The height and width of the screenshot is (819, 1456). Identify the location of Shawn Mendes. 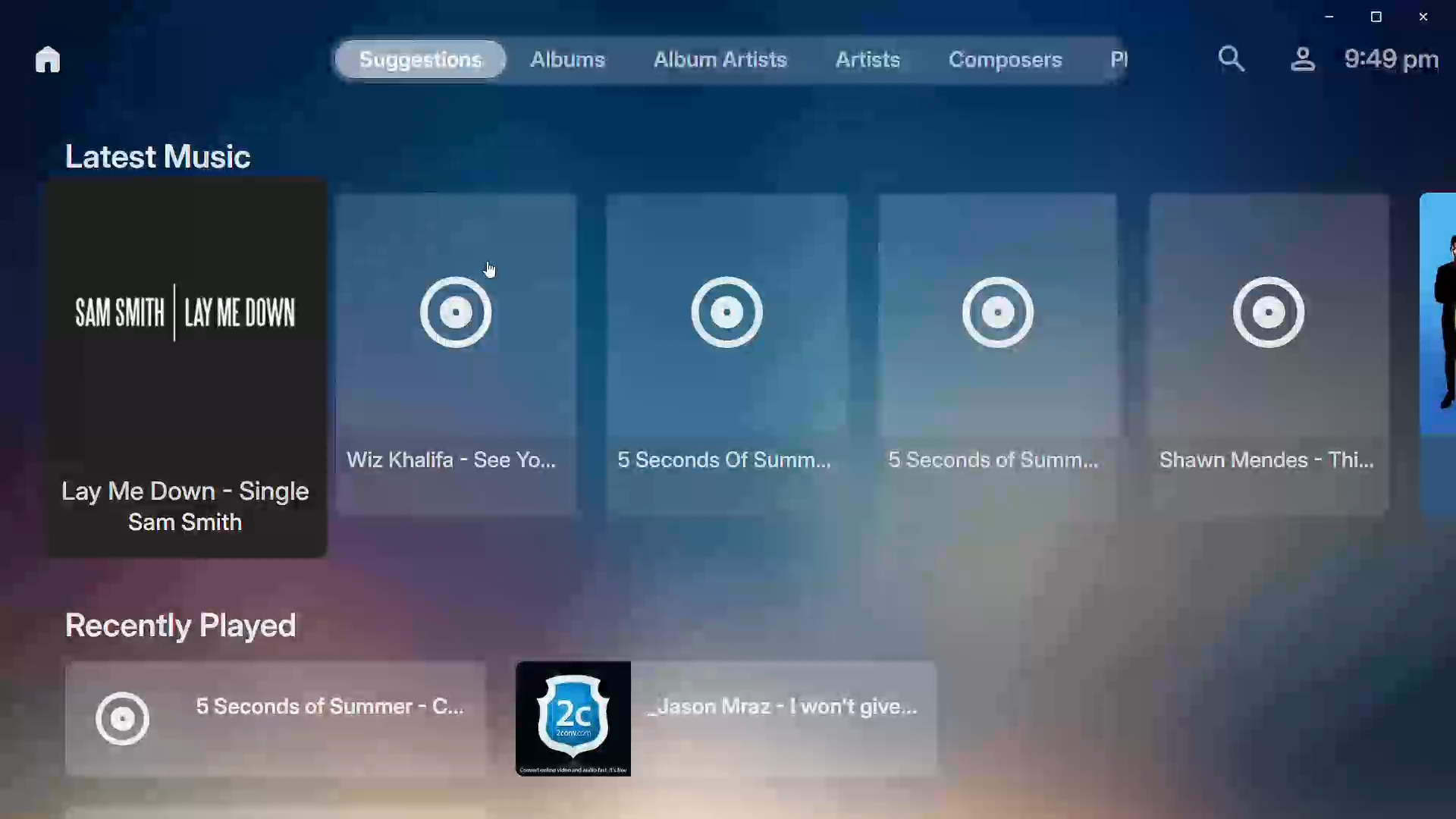
(1260, 353).